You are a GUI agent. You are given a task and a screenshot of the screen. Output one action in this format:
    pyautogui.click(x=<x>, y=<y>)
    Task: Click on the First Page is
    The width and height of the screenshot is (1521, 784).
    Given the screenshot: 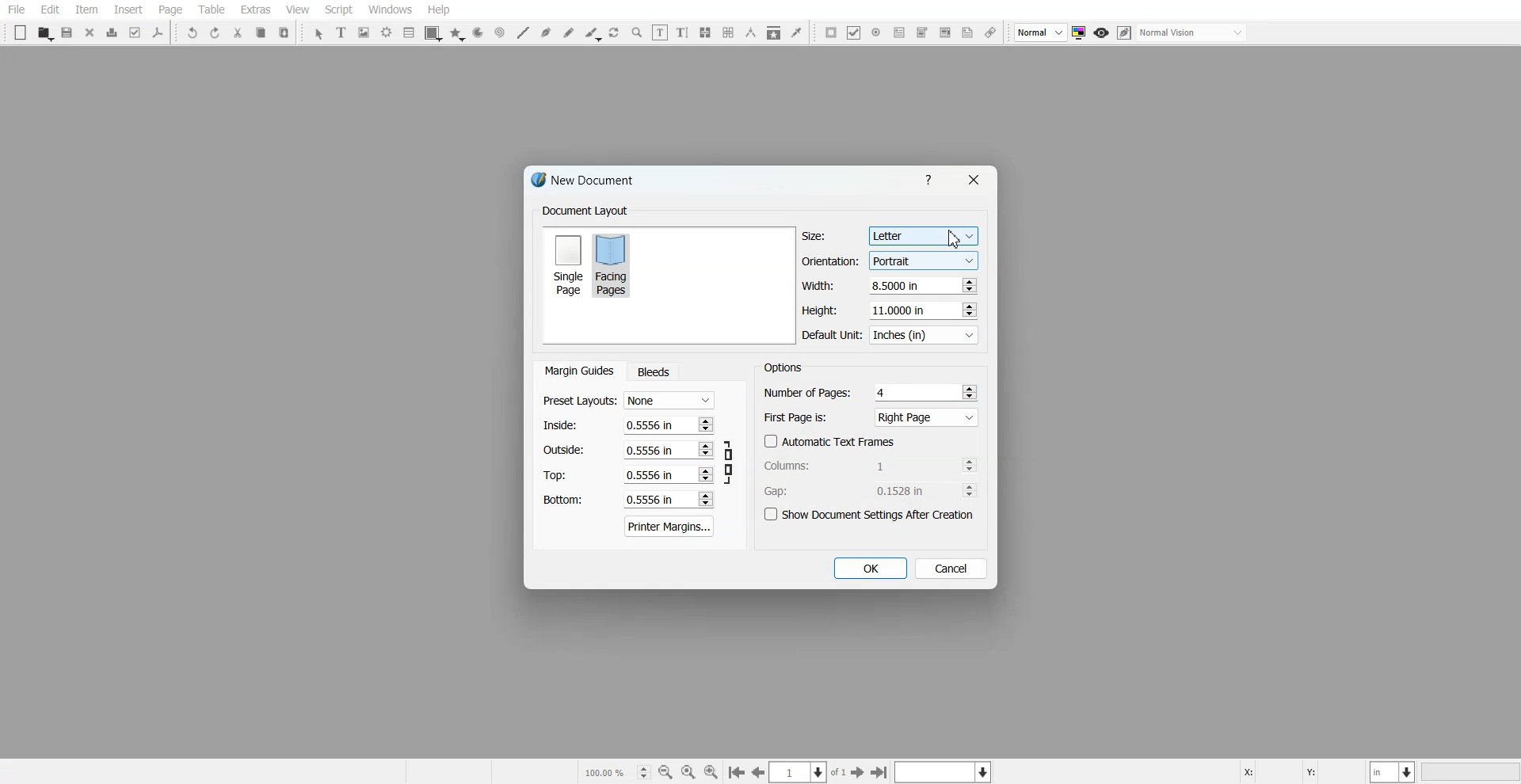 What is the action you would take?
    pyautogui.click(x=871, y=417)
    